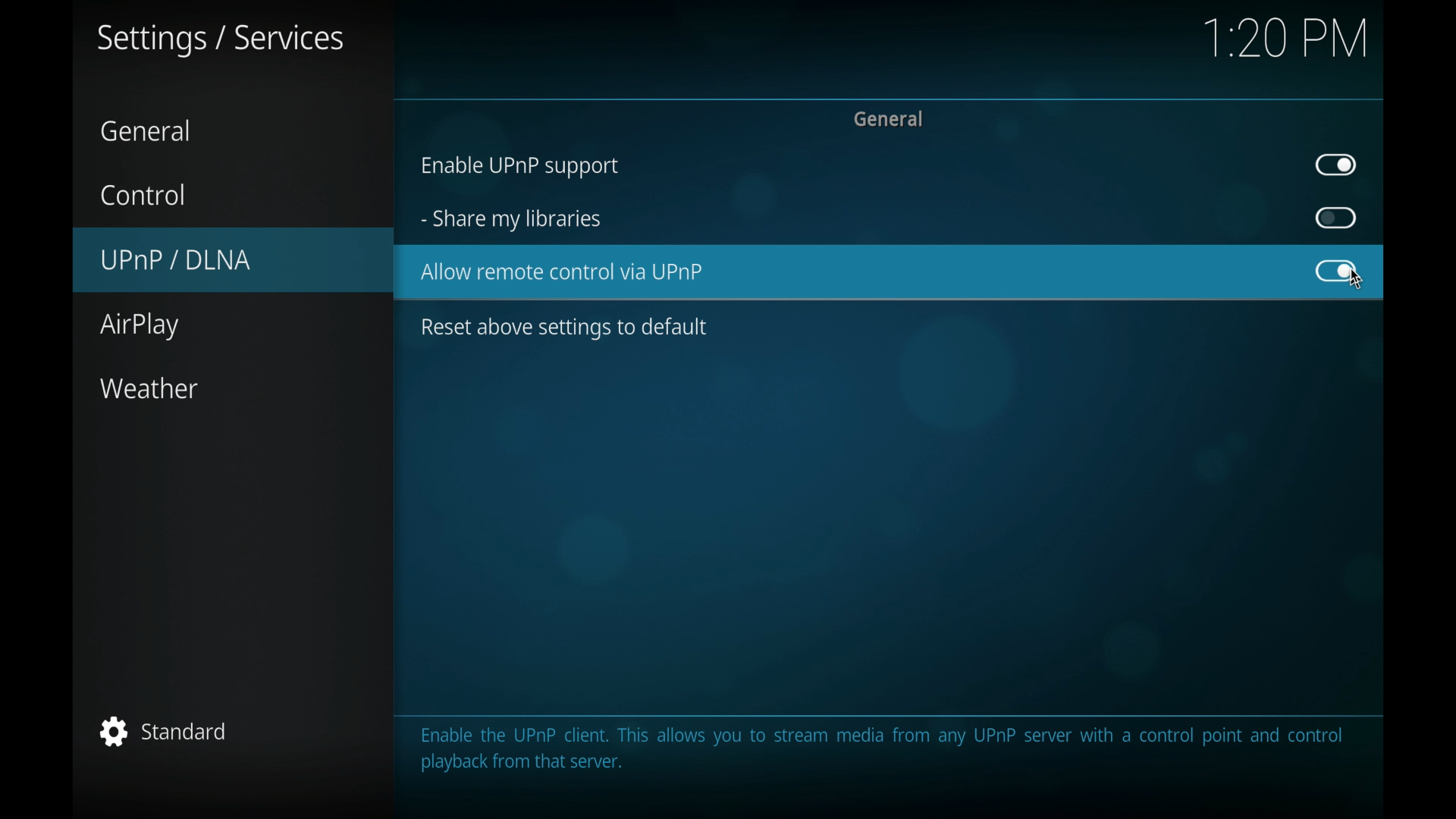 This screenshot has height=819, width=1456. What do you see at coordinates (563, 272) in the screenshot?
I see `allow remote control via UPnP` at bounding box center [563, 272].